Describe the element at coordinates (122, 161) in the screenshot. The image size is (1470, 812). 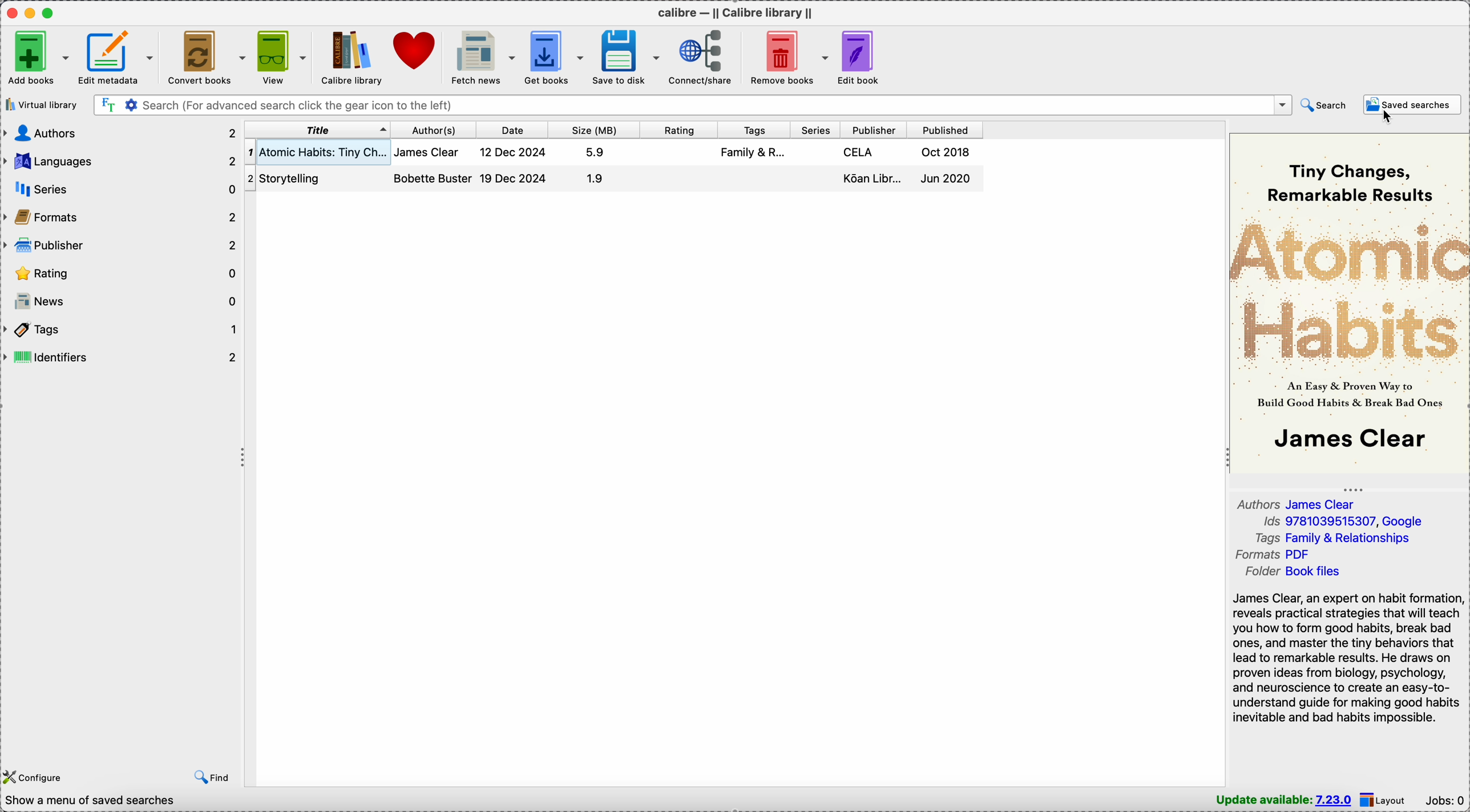
I see `language` at that location.